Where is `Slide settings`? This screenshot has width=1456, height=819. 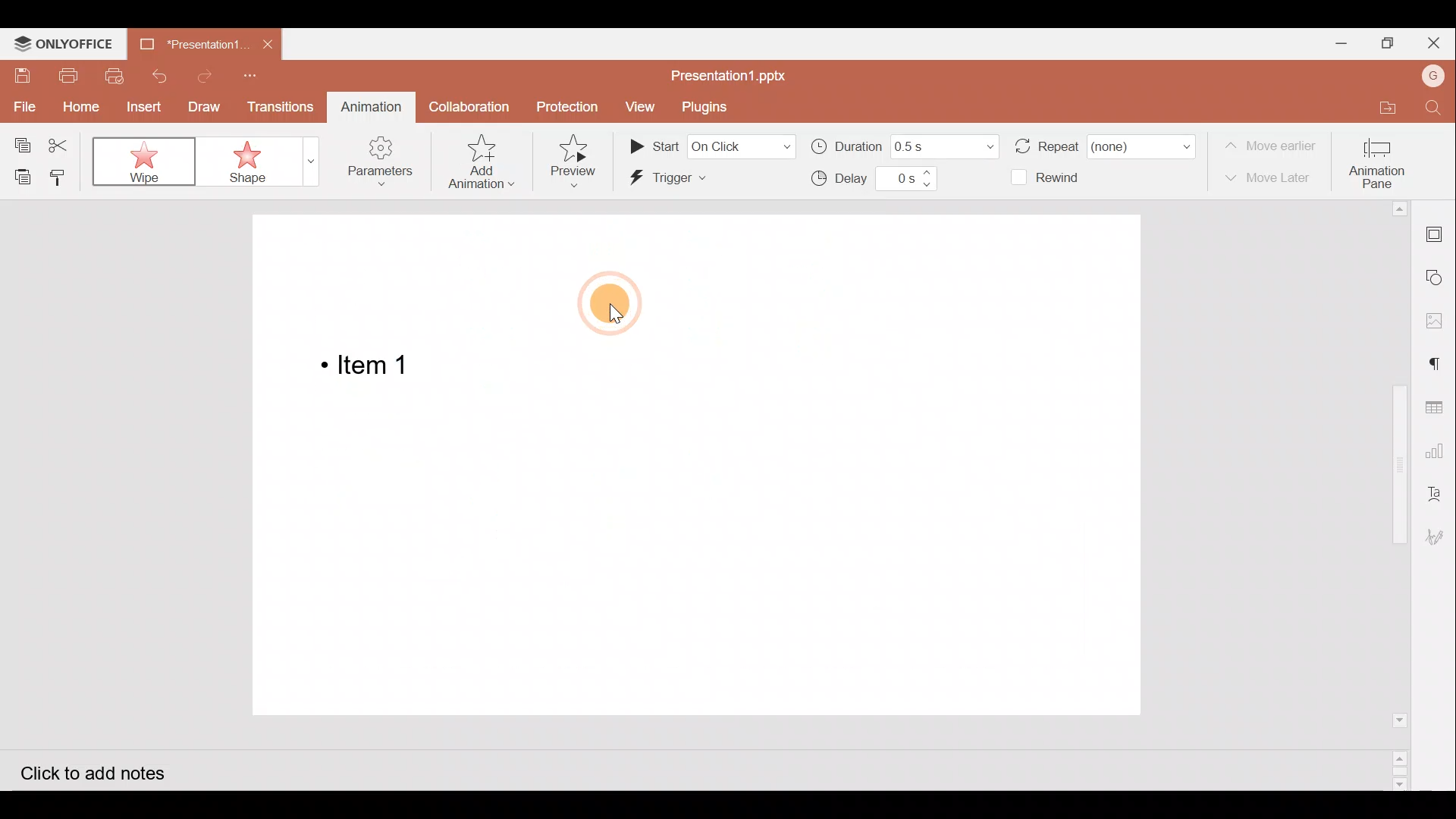 Slide settings is located at coordinates (1442, 237).